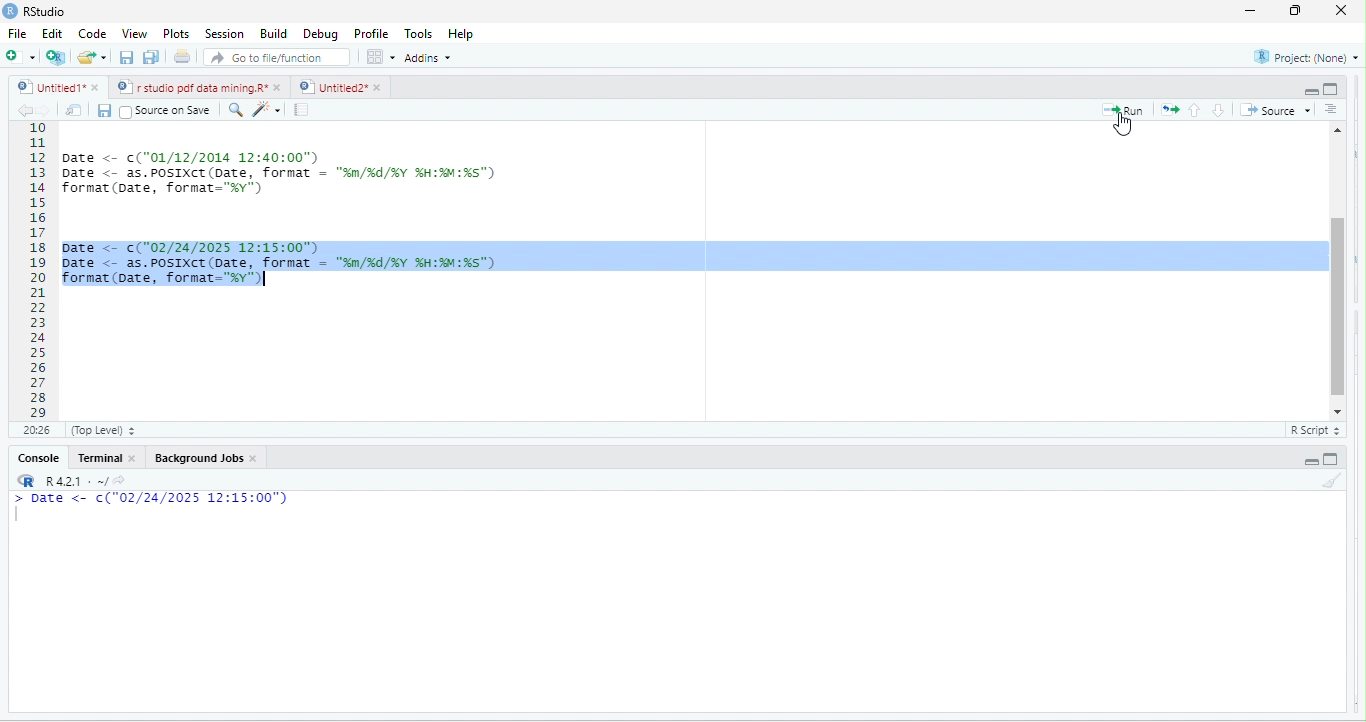 This screenshot has height=722, width=1366. I want to click on clear console, so click(1332, 483).